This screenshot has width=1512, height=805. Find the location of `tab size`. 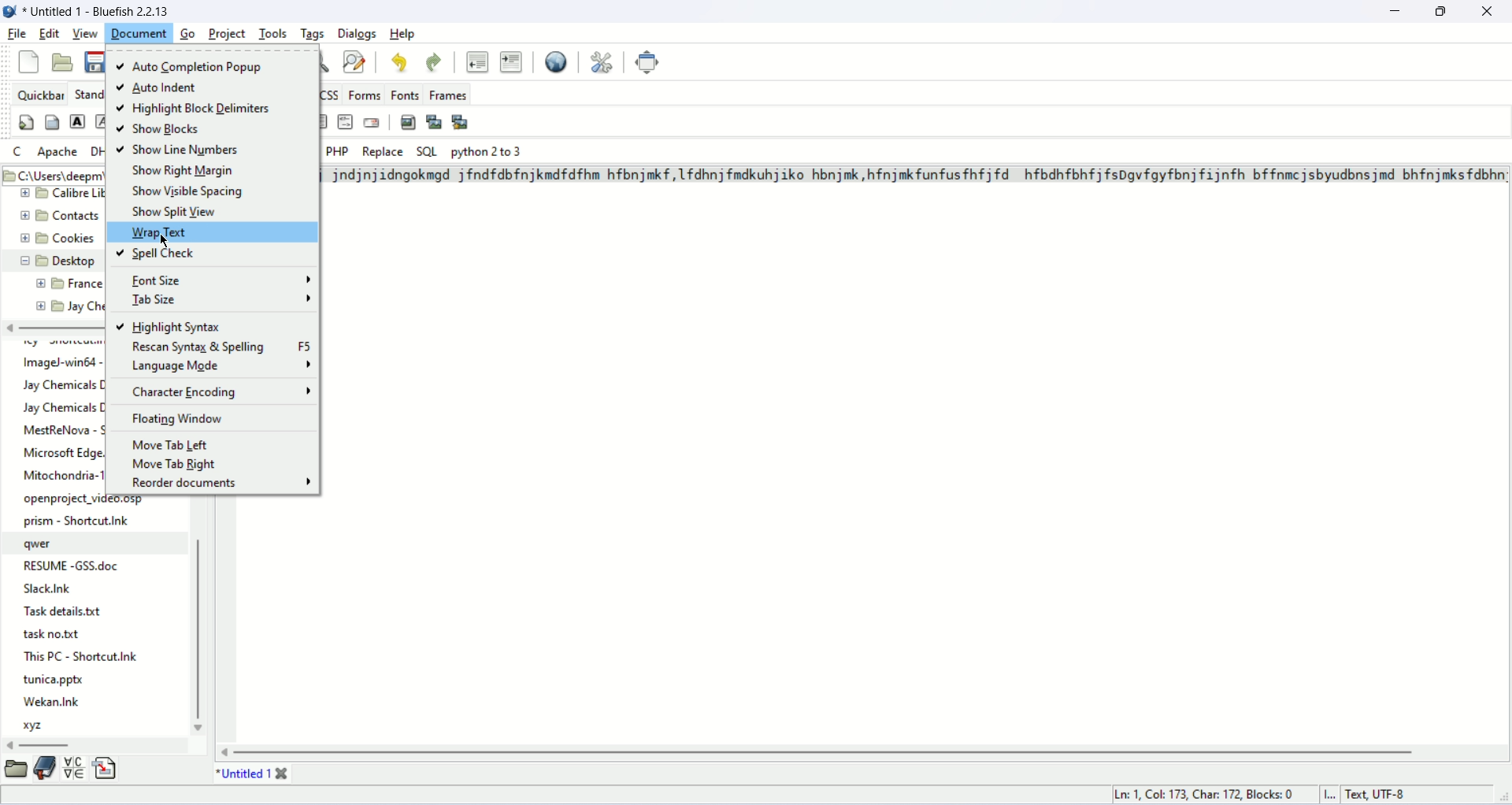

tab size is located at coordinates (221, 301).